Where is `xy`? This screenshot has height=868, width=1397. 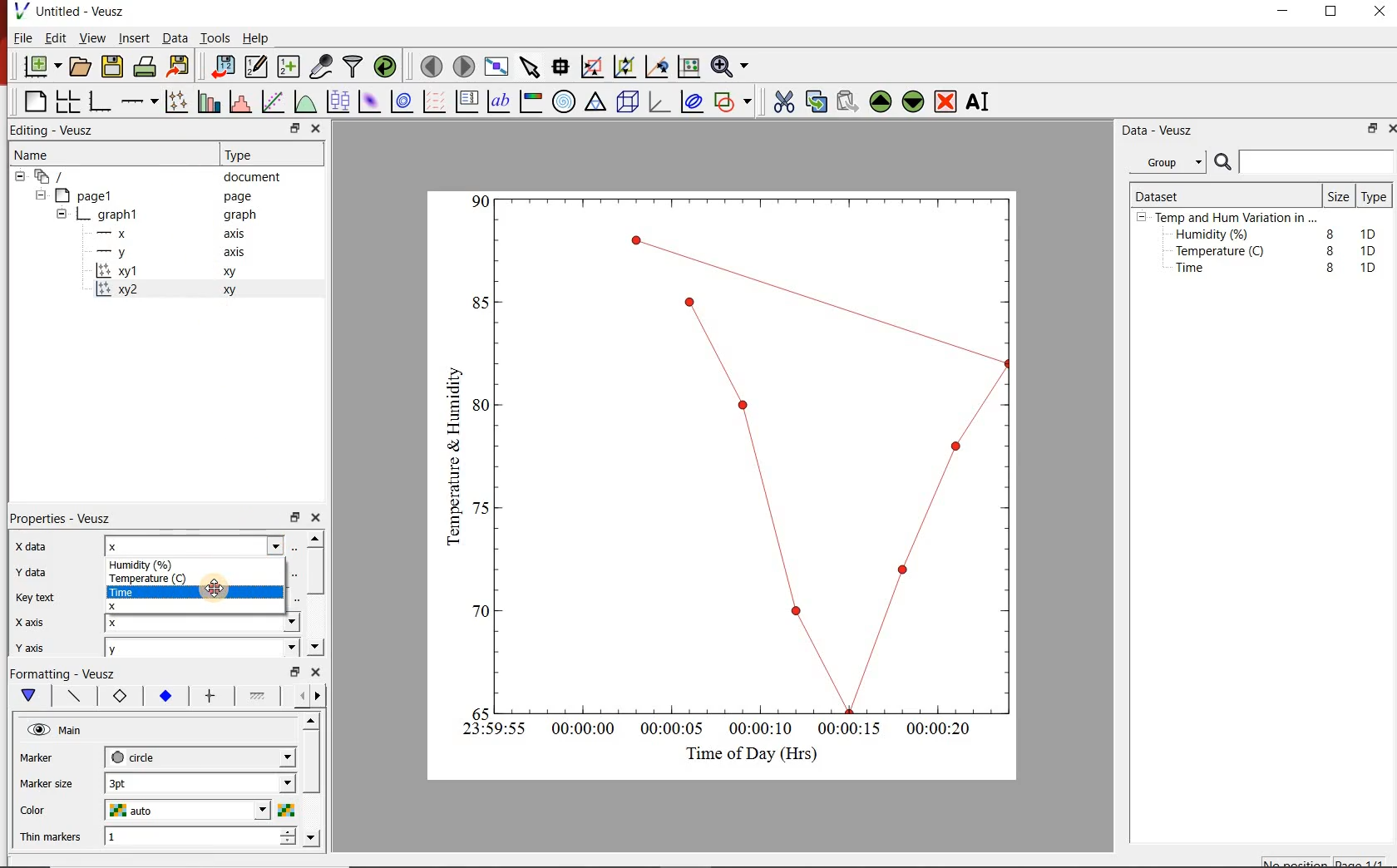
xy is located at coordinates (233, 290).